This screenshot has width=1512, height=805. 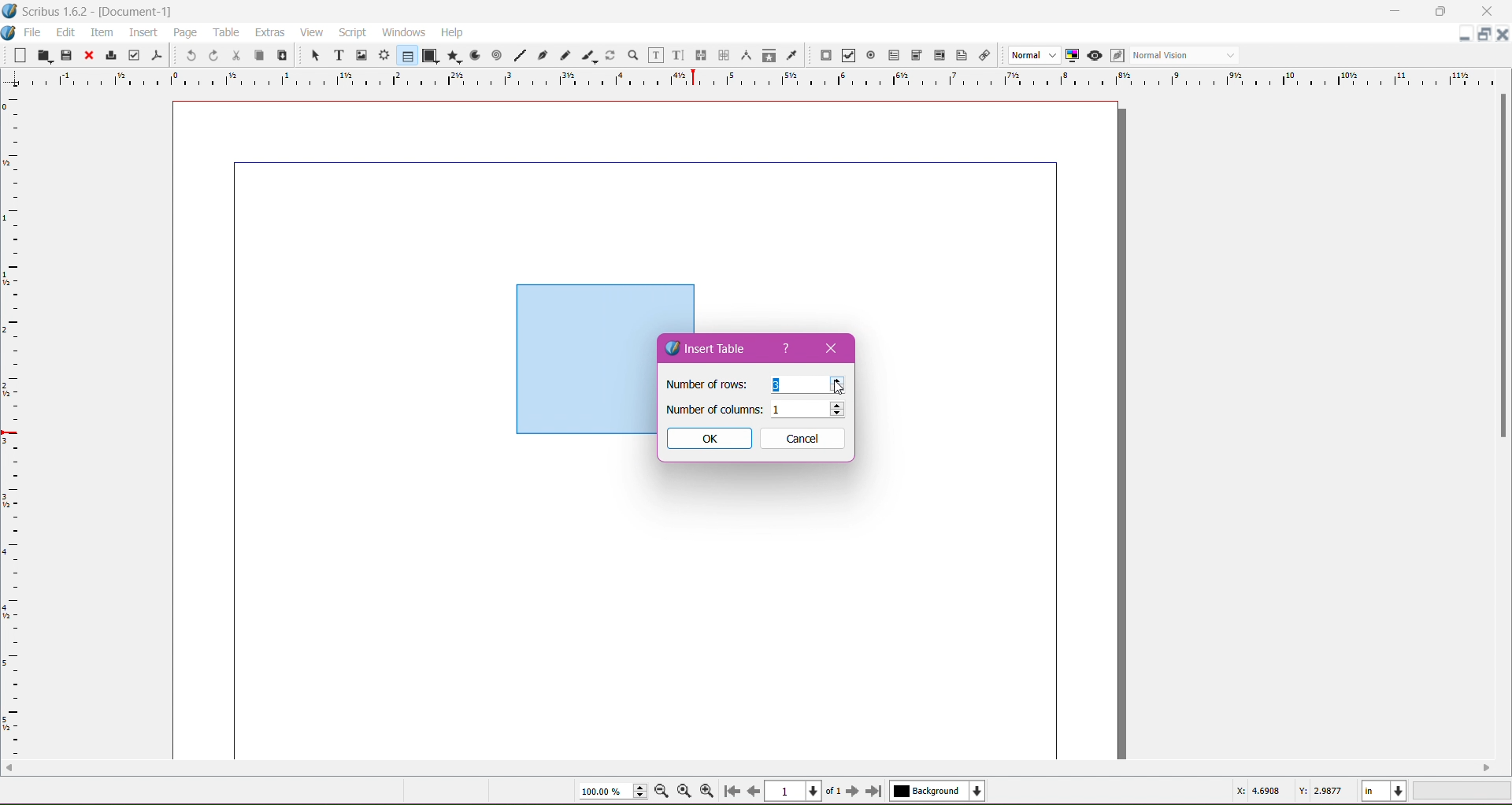 What do you see at coordinates (854, 790) in the screenshot?
I see `Next Page` at bounding box center [854, 790].